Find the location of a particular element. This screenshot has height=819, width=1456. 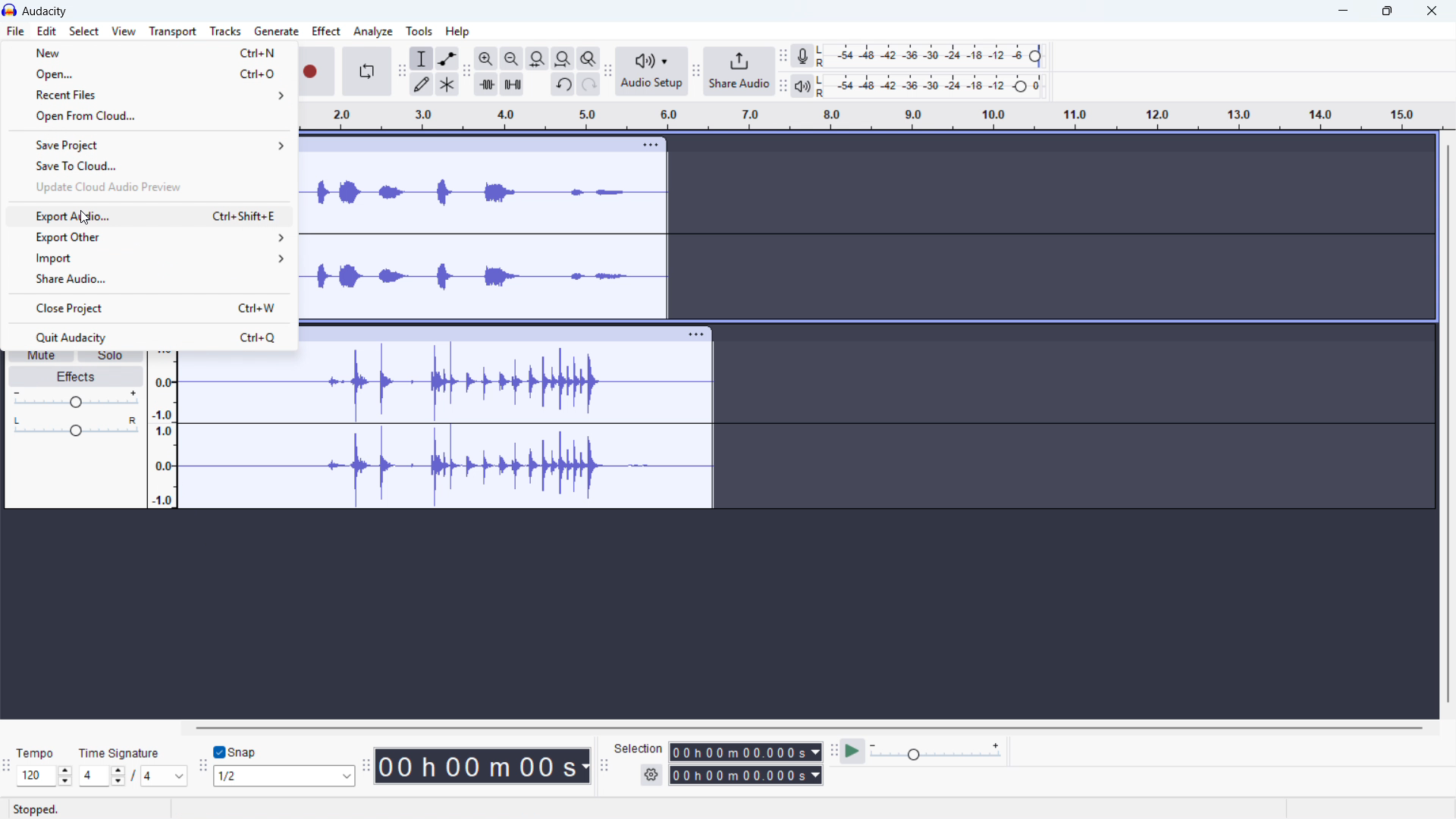

Click to drag  is located at coordinates (461, 145).